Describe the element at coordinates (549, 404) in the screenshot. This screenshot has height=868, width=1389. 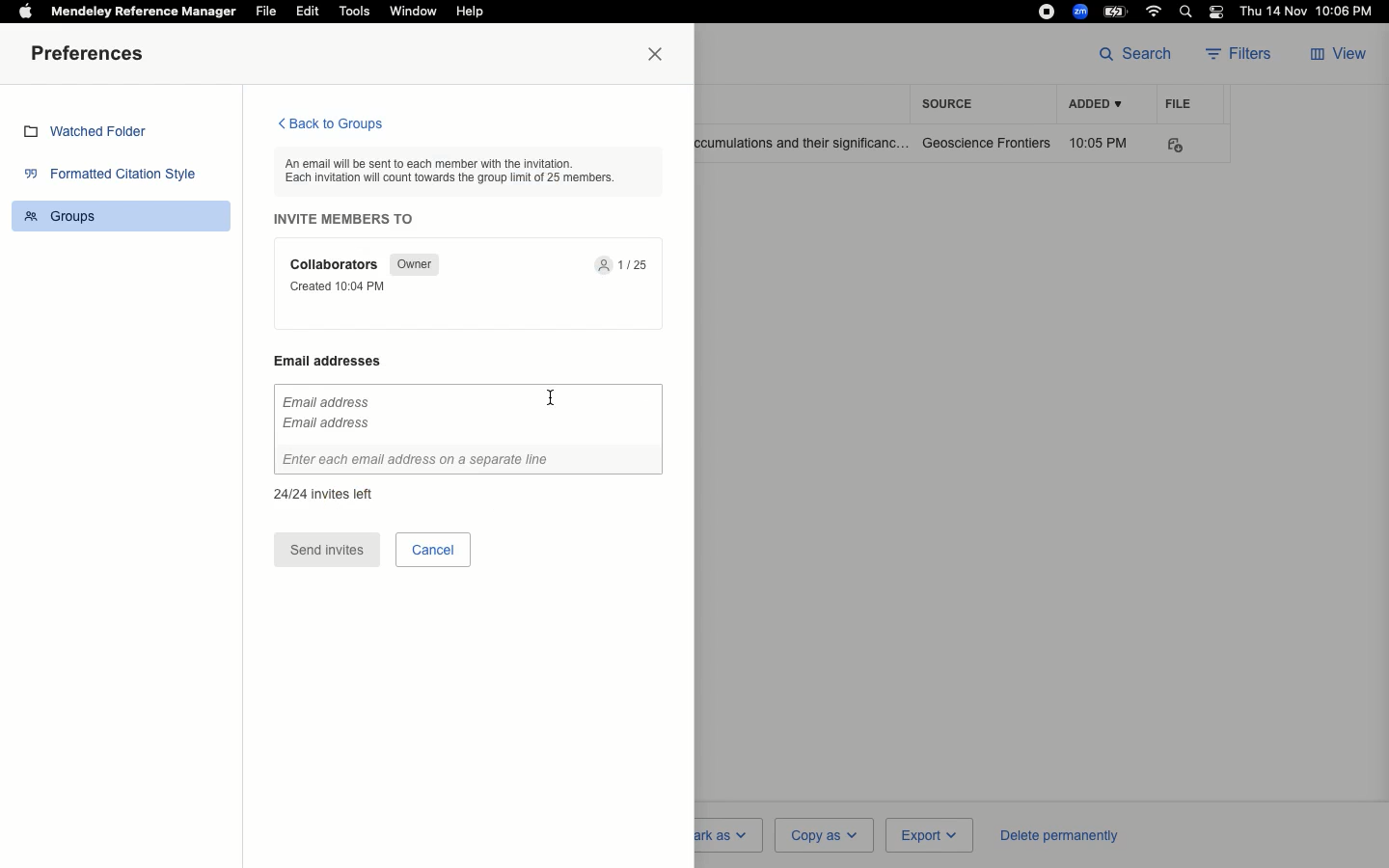
I see `cursor` at that location.